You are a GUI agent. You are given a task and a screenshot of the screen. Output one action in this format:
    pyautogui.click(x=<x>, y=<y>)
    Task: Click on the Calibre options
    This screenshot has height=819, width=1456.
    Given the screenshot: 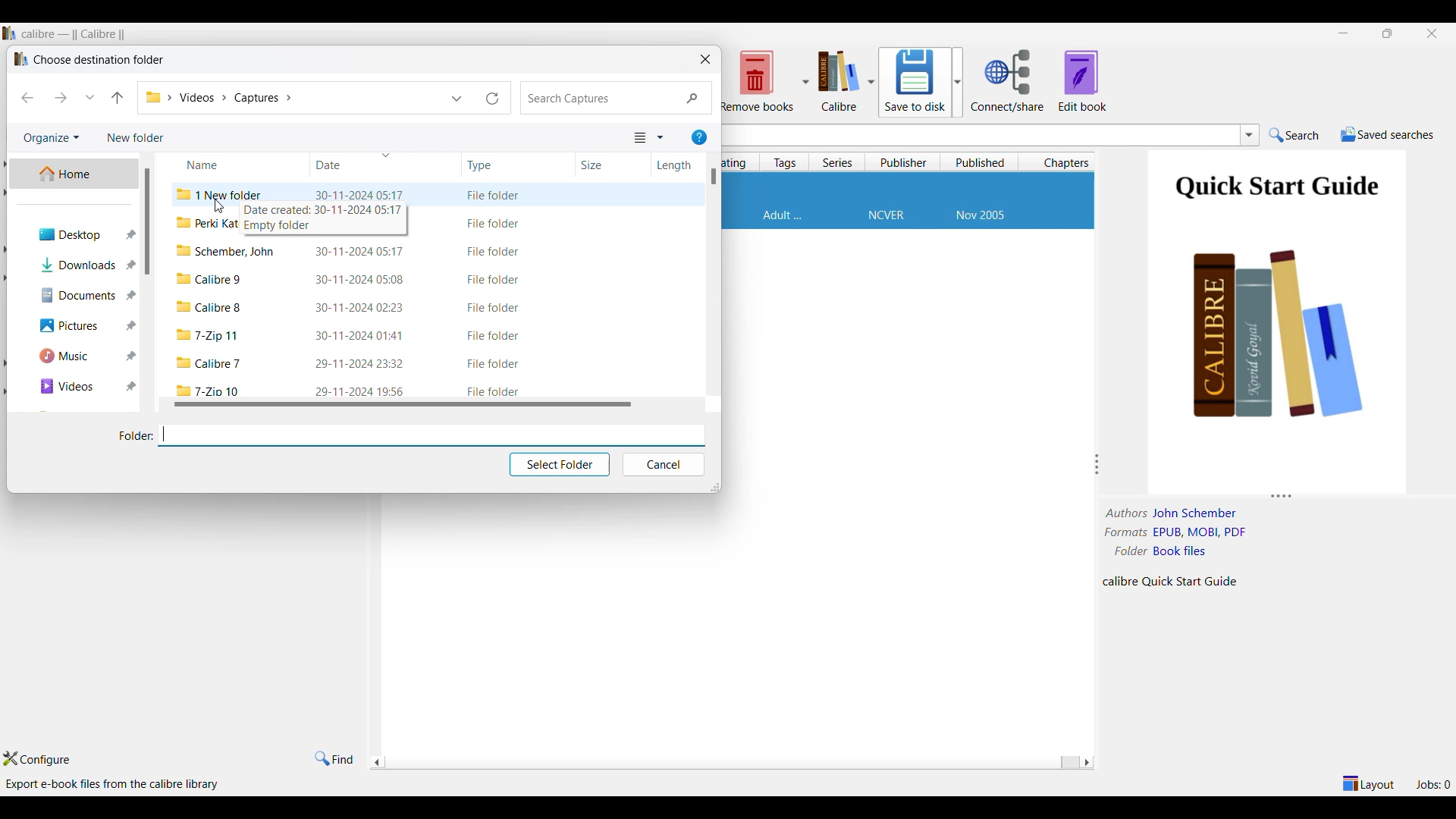 What is the action you would take?
    pyautogui.click(x=846, y=80)
    